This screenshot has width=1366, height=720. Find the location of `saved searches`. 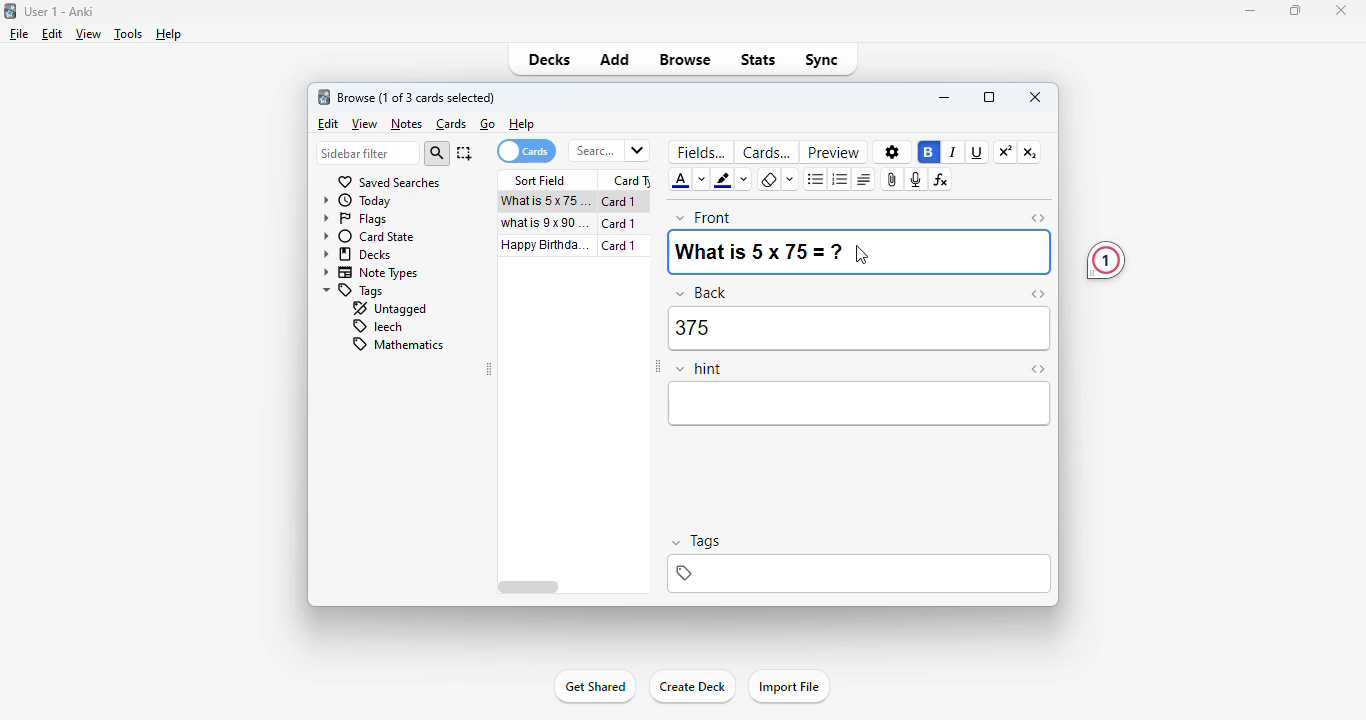

saved searches is located at coordinates (390, 182).